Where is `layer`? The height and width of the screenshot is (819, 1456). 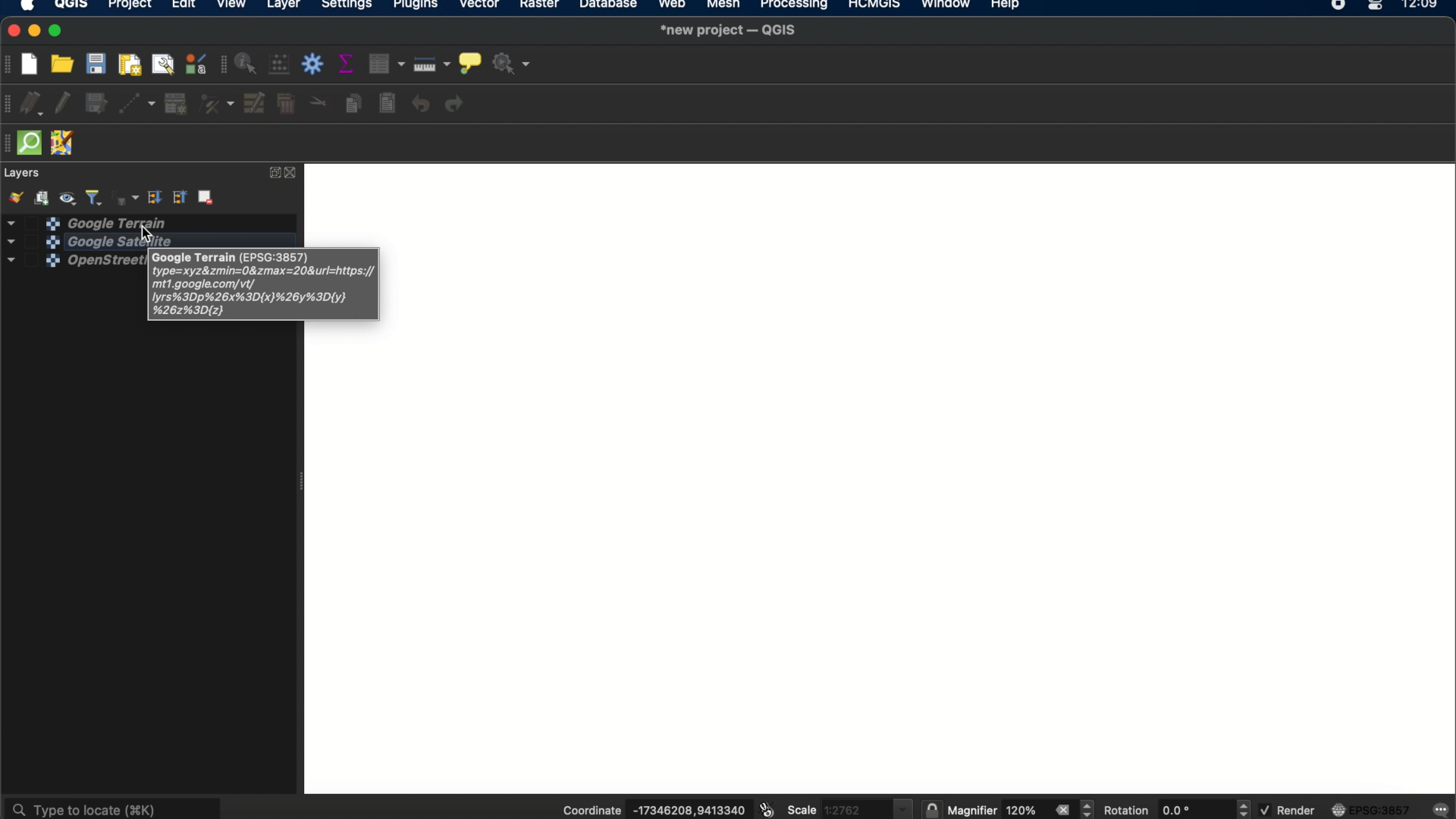 layer is located at coordinates (284, 6).